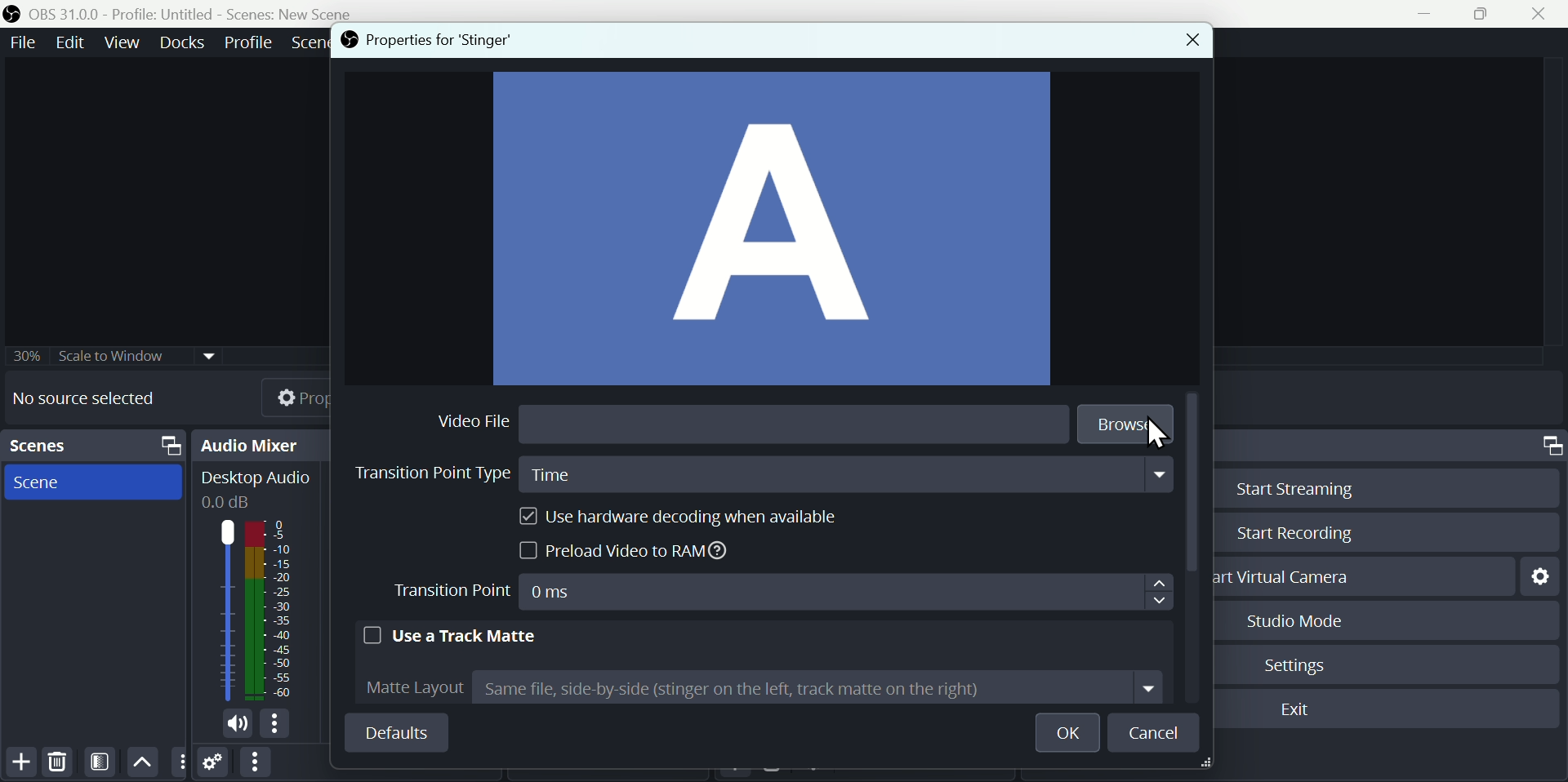 The image size is (1568, 782). I want to click on Scenes, so click(97, 446).